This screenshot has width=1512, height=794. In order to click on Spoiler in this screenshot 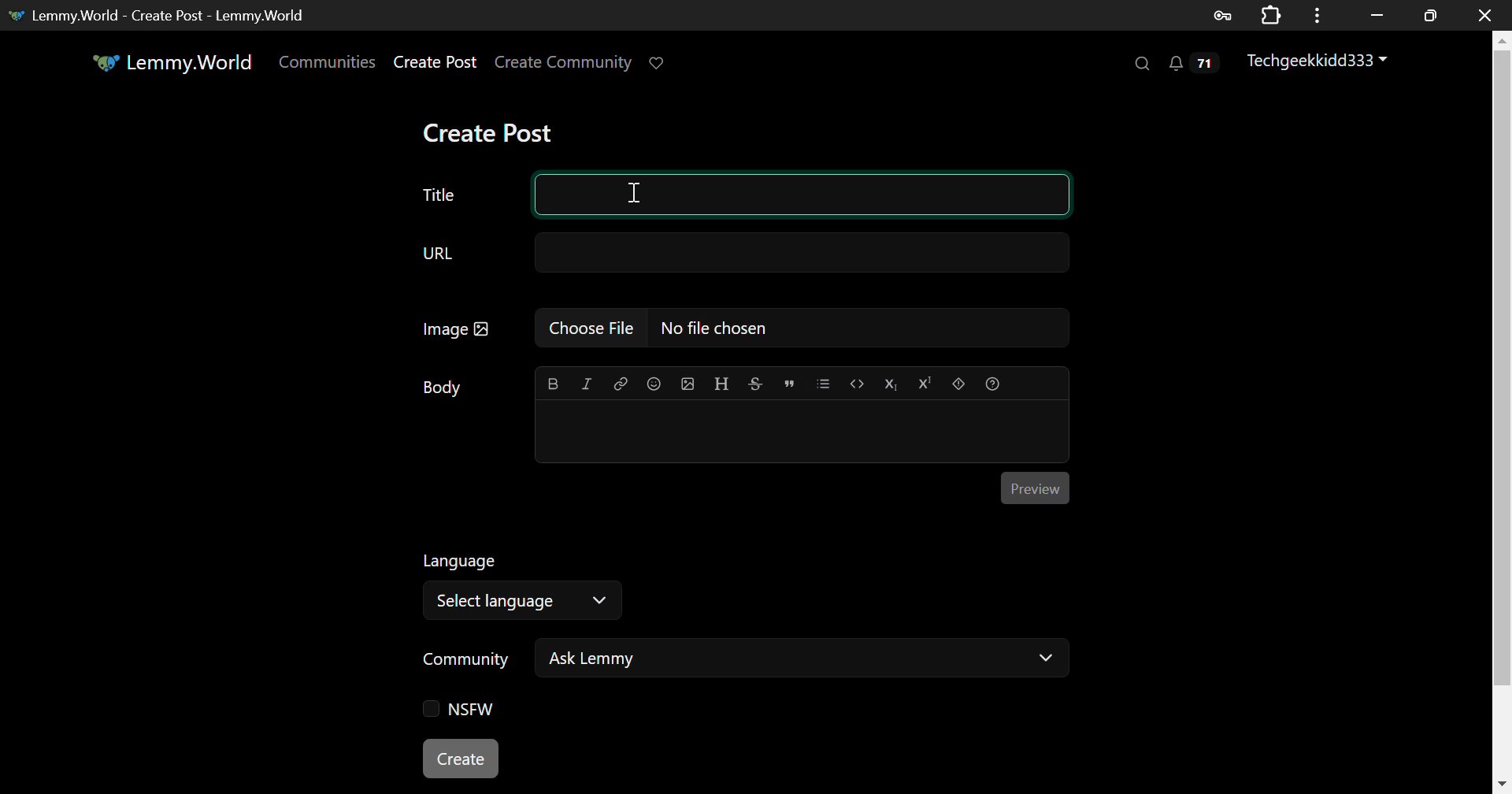, I will do `click(959, 384)`.